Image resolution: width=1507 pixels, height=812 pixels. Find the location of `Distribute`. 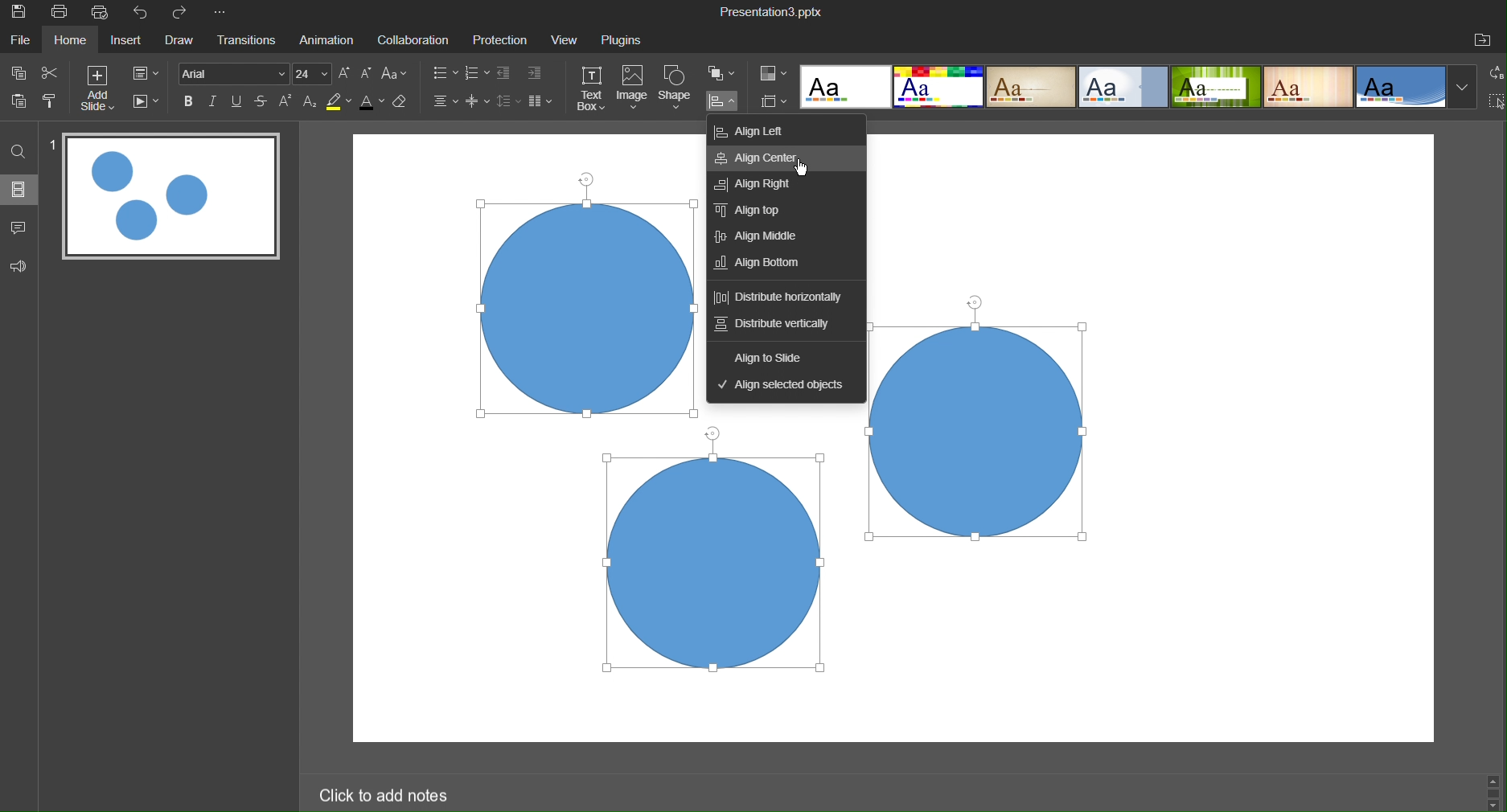

Distribute is located at coordinates (727, 103).